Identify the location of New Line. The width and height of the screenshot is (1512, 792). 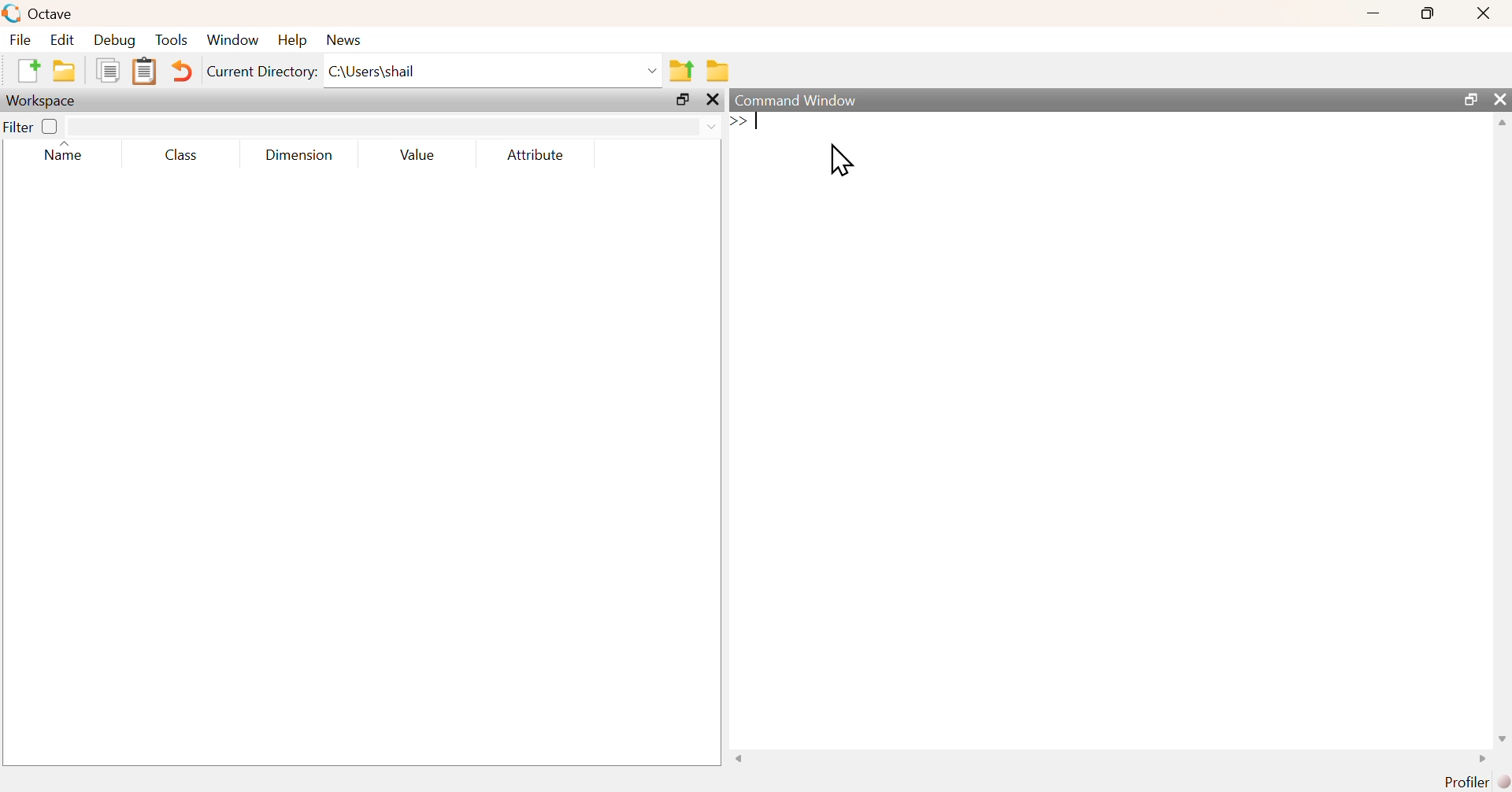
(739, 121).